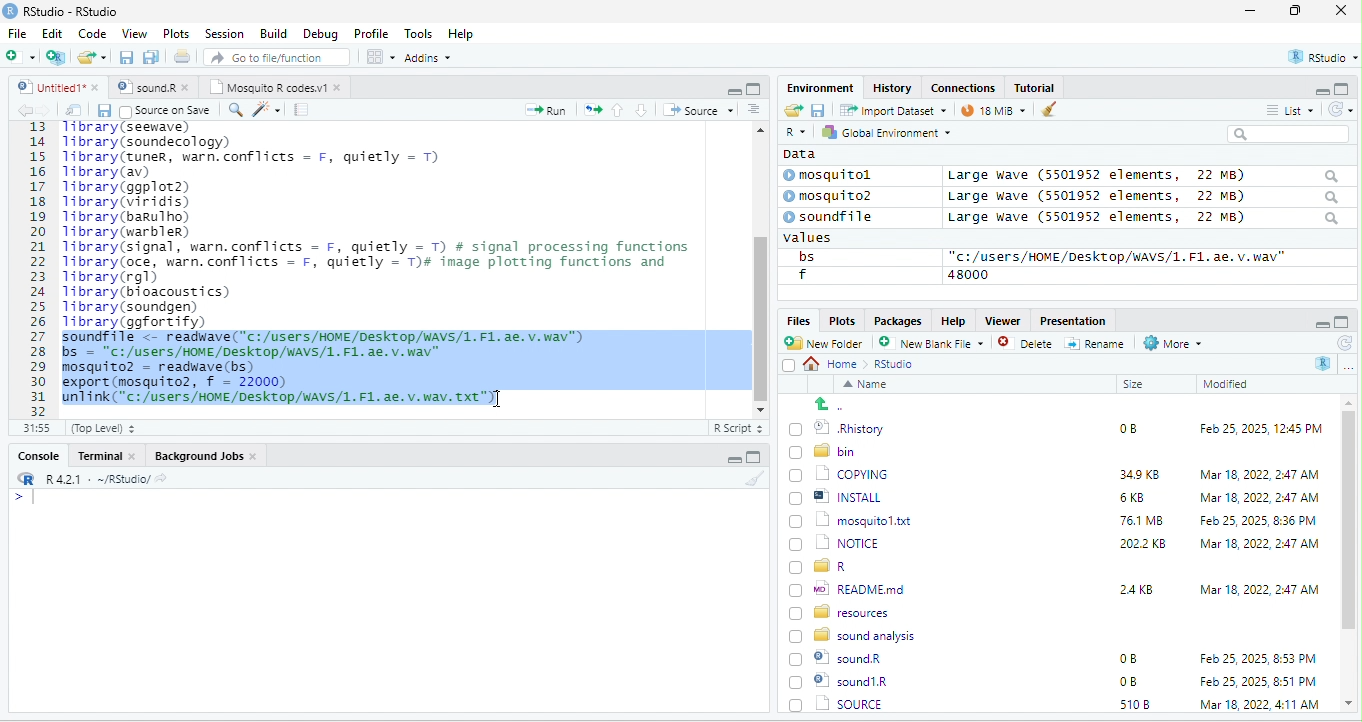  Describe the element at coordinates (837, 216) in the screenshot. I see `© soundfile` at that location.